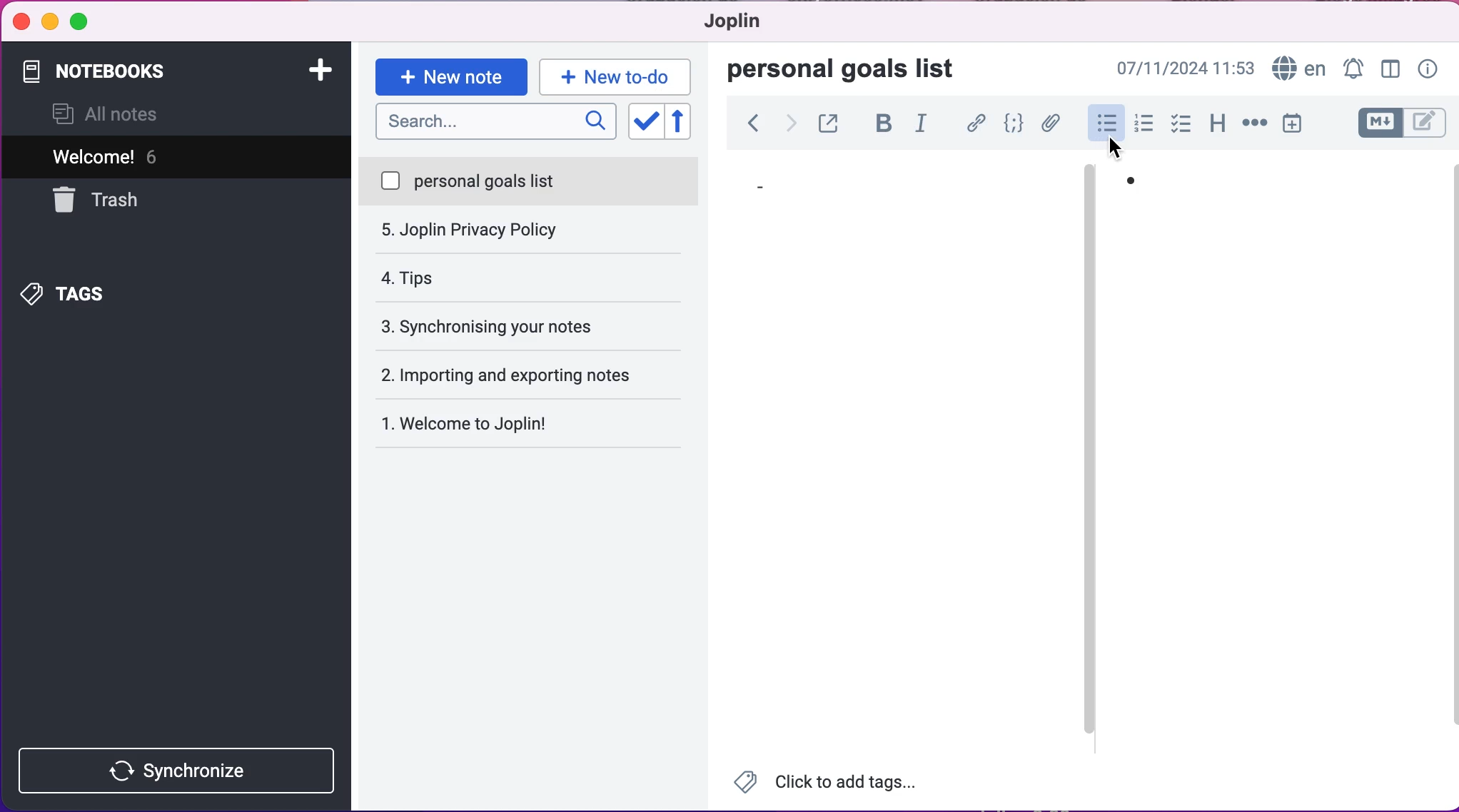 The height and width of the screenshot is (812, 1459). Describe the element at coordinates (1252, 128) in the screenshot. I see `horizontal rule` at that location.